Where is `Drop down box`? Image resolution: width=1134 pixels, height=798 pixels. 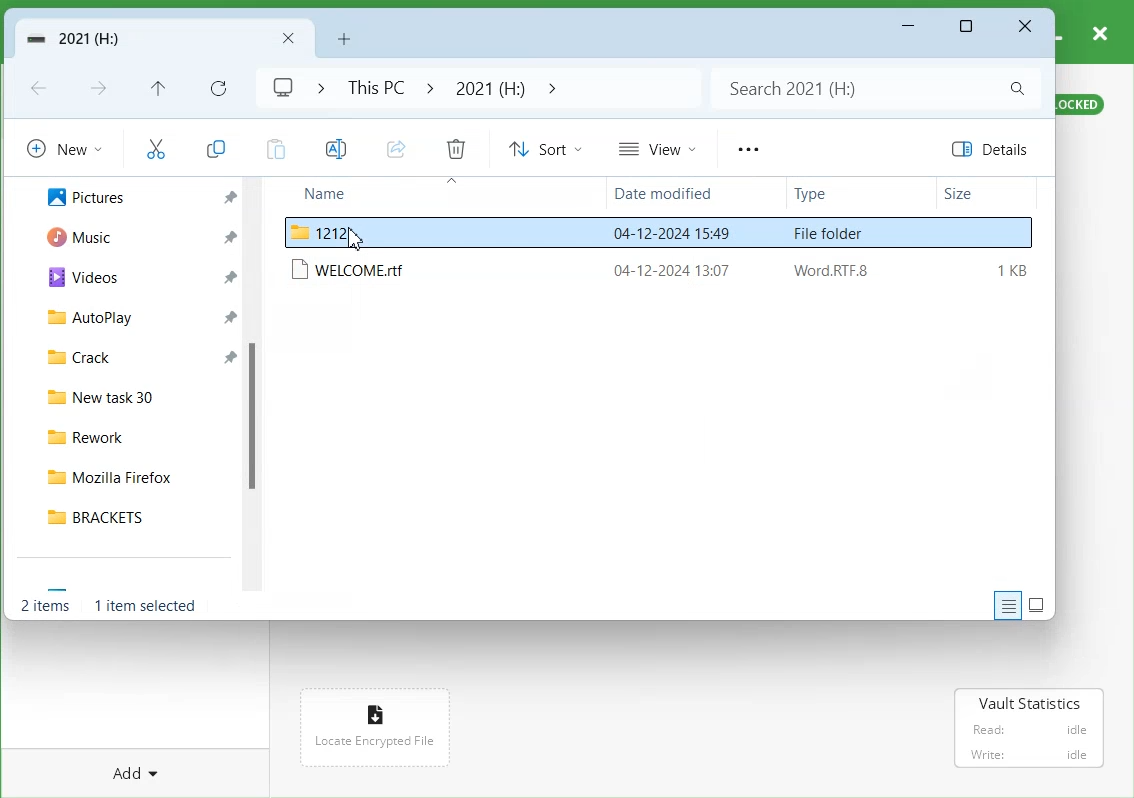
Drop down box is located at coordinates (315, 87).